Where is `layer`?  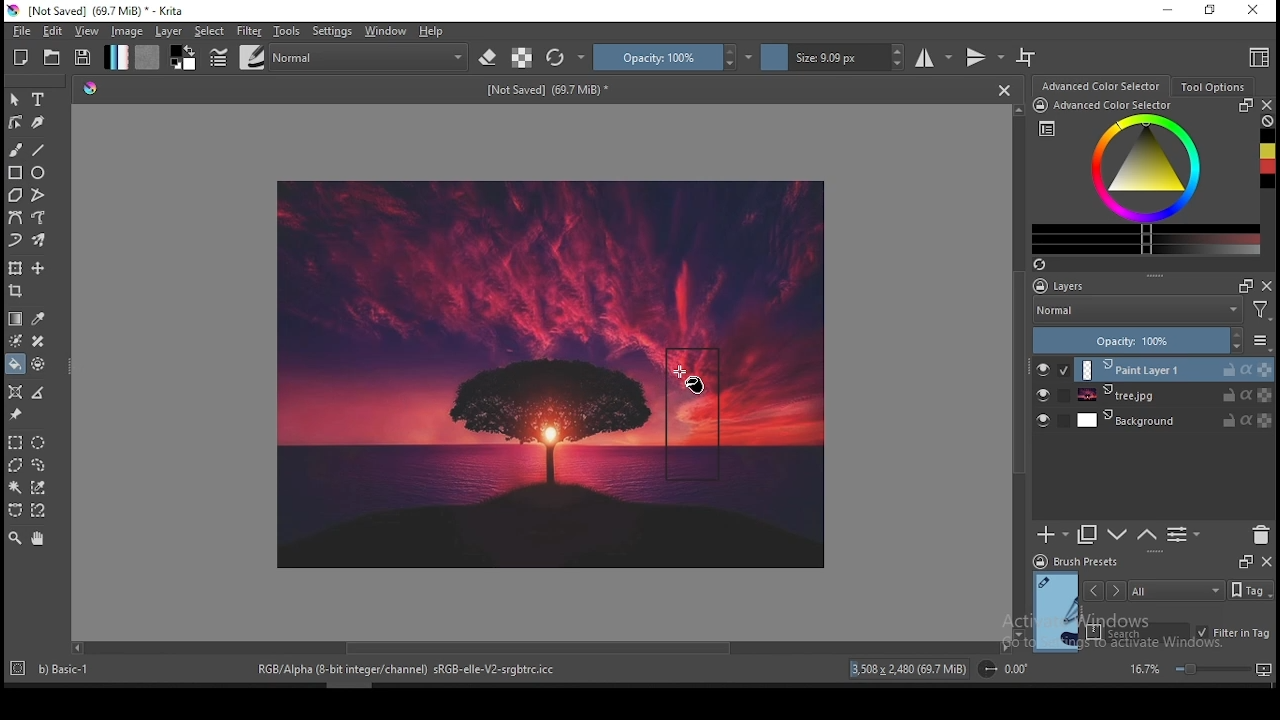 layer is located at coordinates (1174, 369).